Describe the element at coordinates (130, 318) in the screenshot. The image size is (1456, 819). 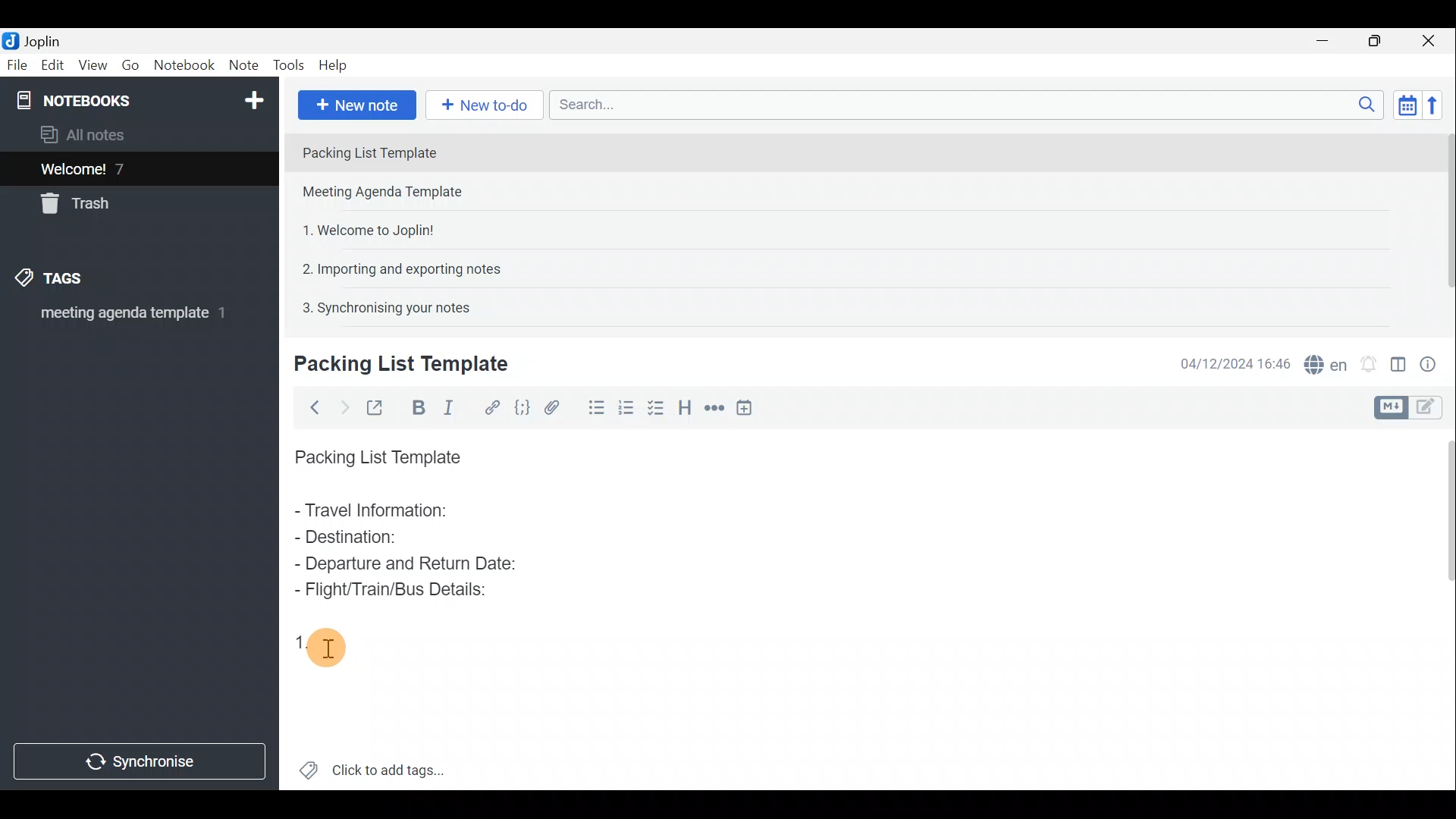
I see `meeting agenda template` at that location.